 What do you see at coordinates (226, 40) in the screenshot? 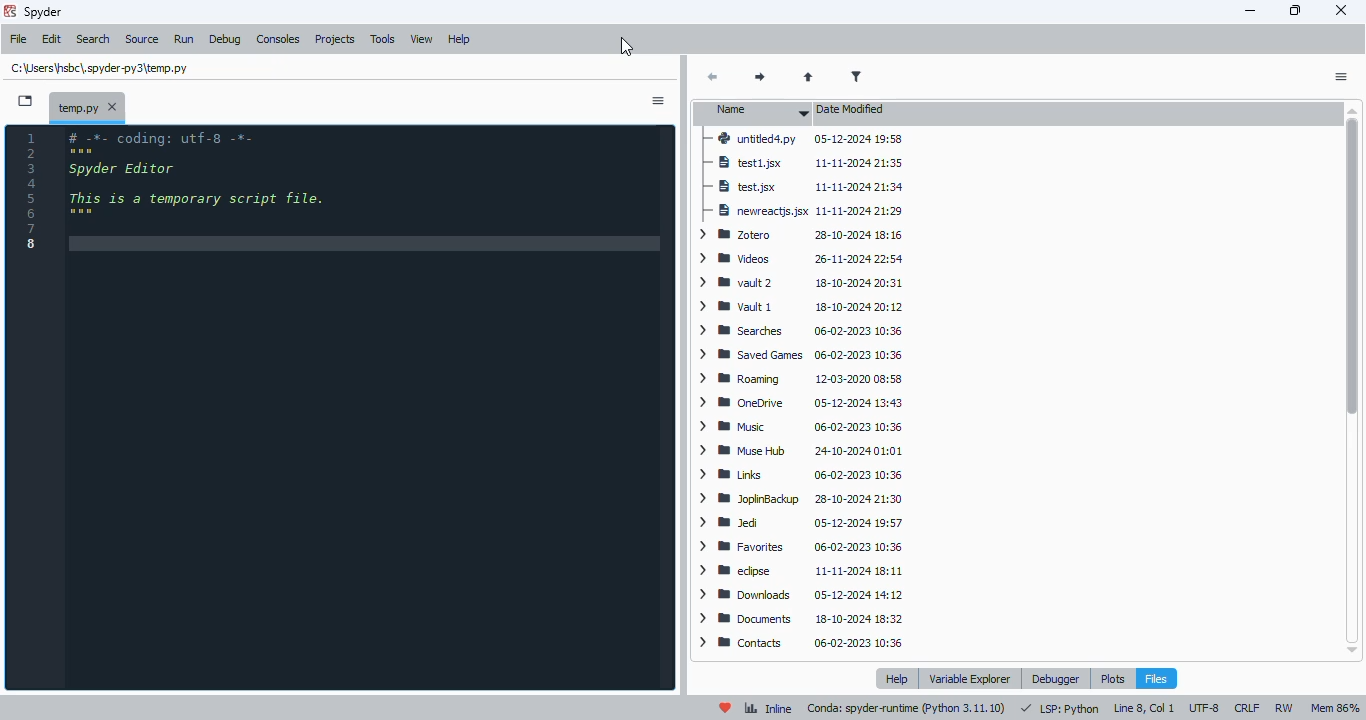
I see `debug` at bounding box center [226, 40].